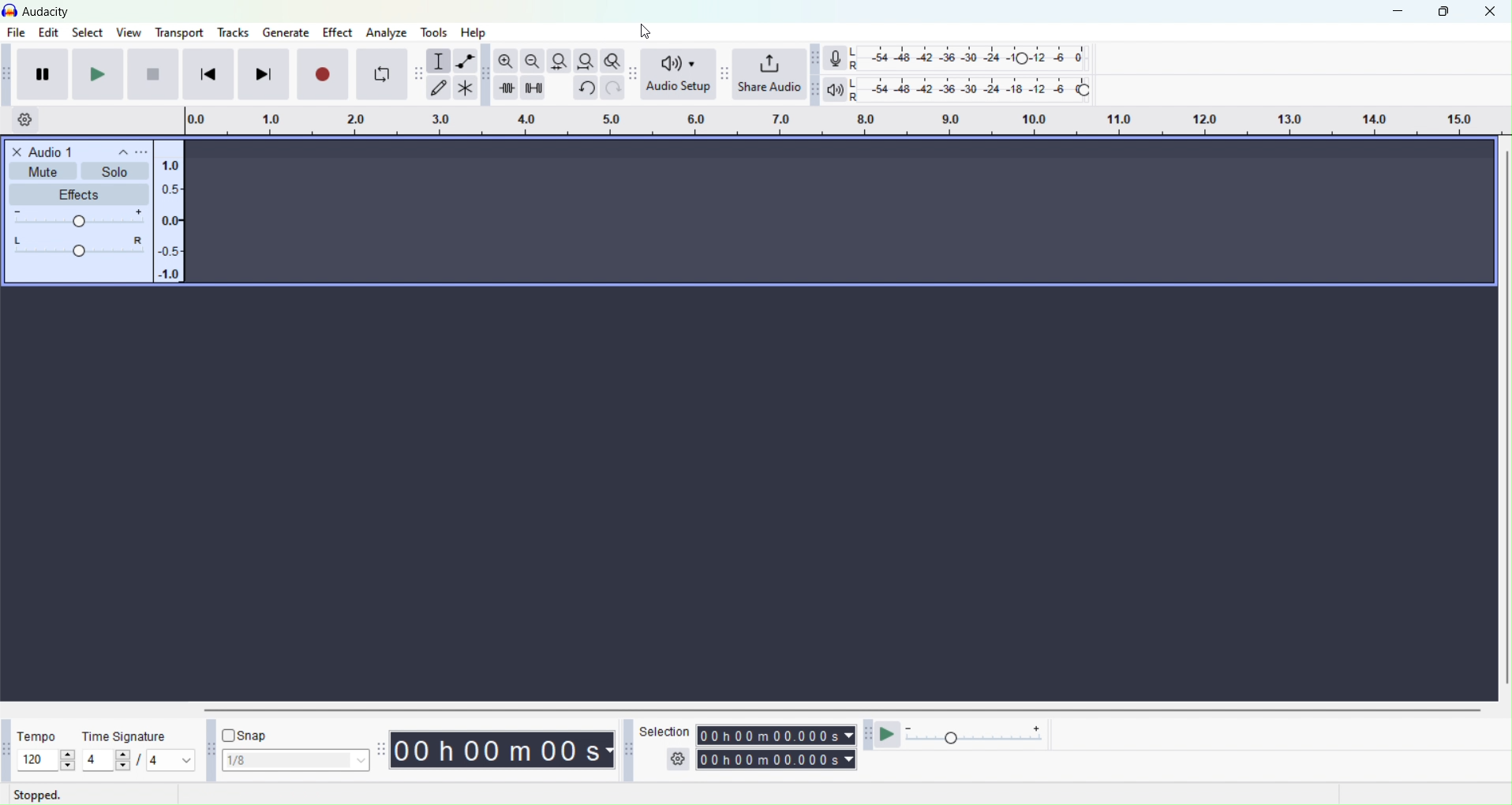 Image resolution: width=1512 pixels, height=805 pixels. I want to click on Time audio outside selection, so click(508, 88).